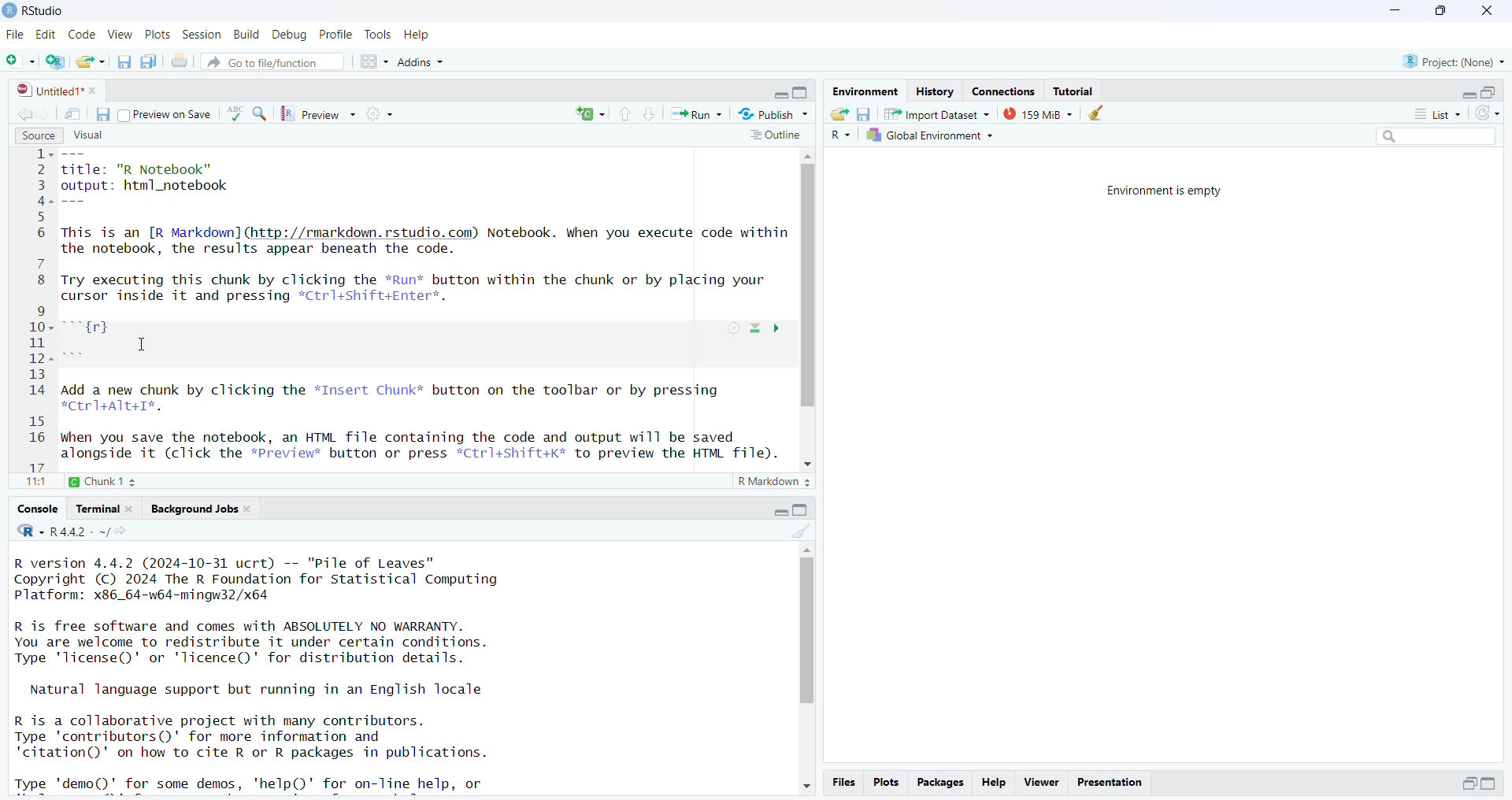  I want to click on profile, so click(337, 35).